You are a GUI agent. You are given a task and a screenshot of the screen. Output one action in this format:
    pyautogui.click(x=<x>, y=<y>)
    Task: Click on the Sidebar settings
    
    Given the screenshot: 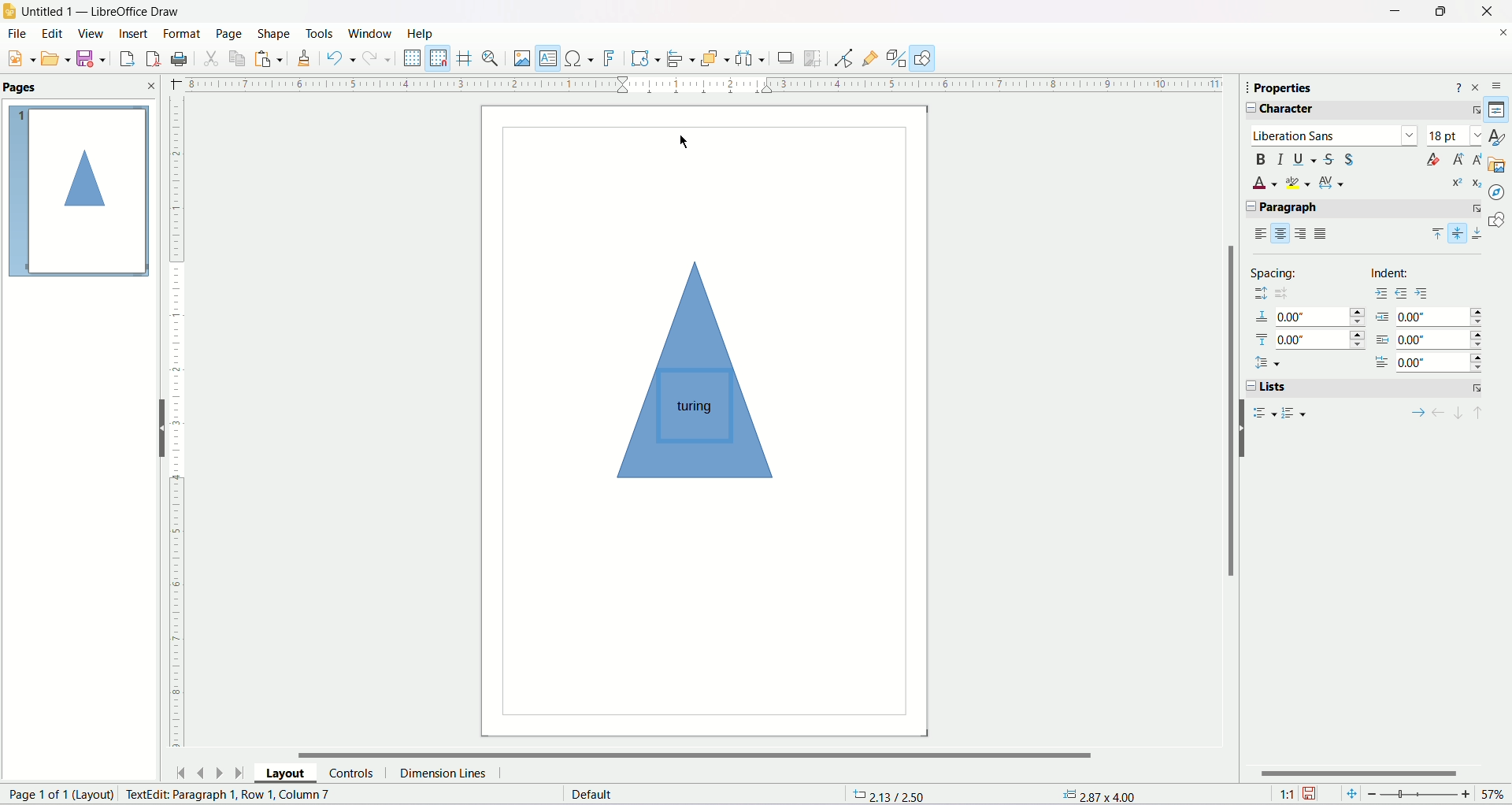 What is the action you would take?
    pyautogui.click(x=1499, y=83)
    